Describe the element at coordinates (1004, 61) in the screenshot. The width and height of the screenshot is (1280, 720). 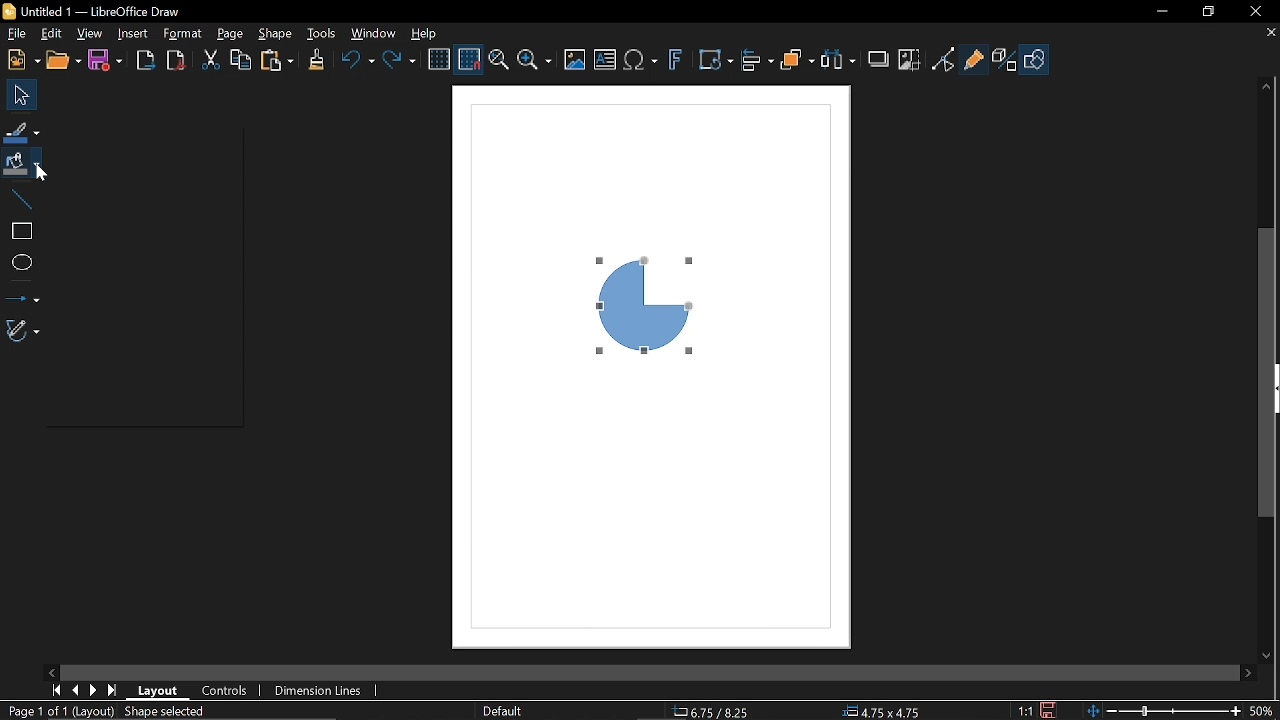
I see `Toggle extrusion` at that location.